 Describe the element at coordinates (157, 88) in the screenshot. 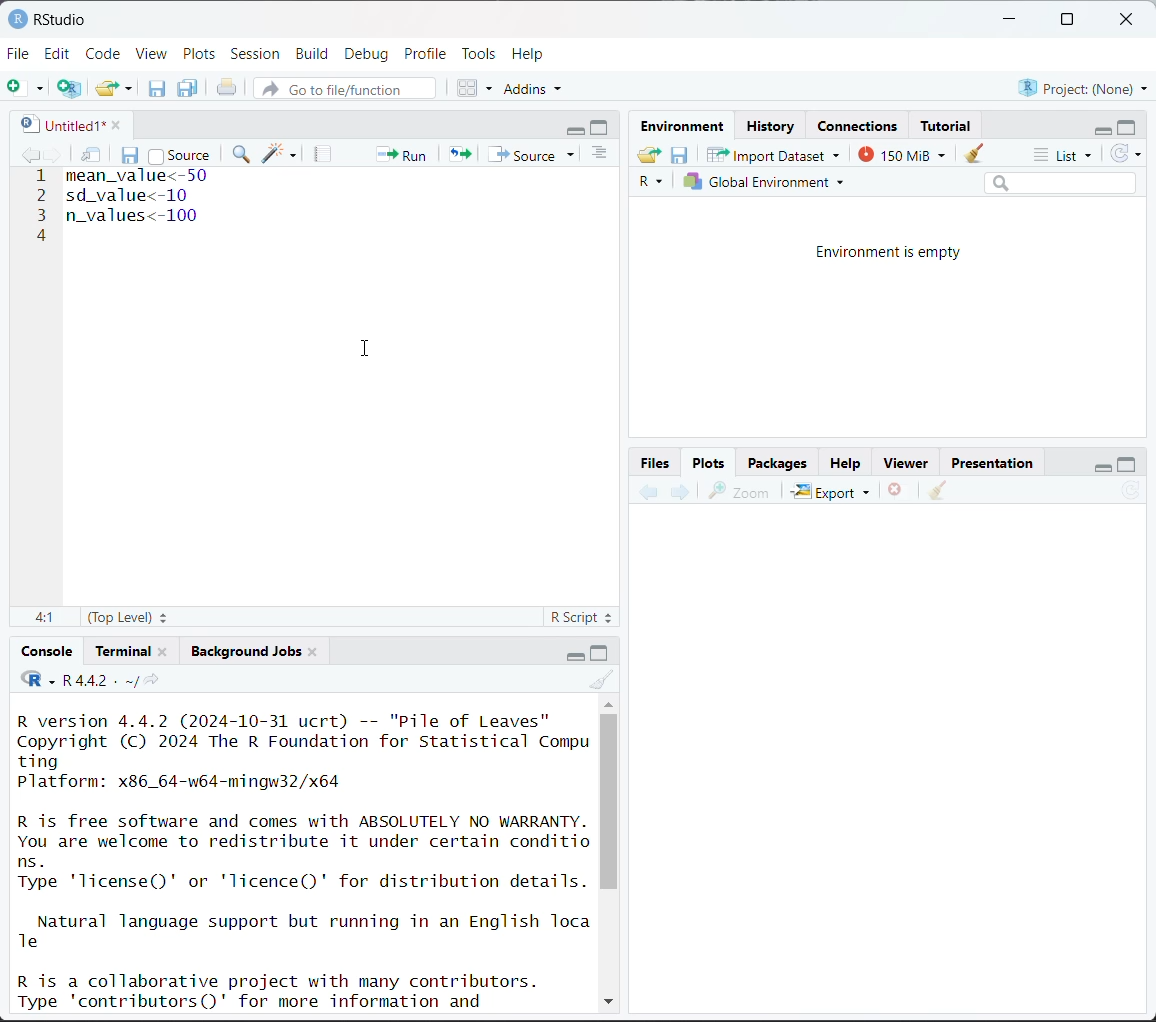

I see `save current document` at that location.